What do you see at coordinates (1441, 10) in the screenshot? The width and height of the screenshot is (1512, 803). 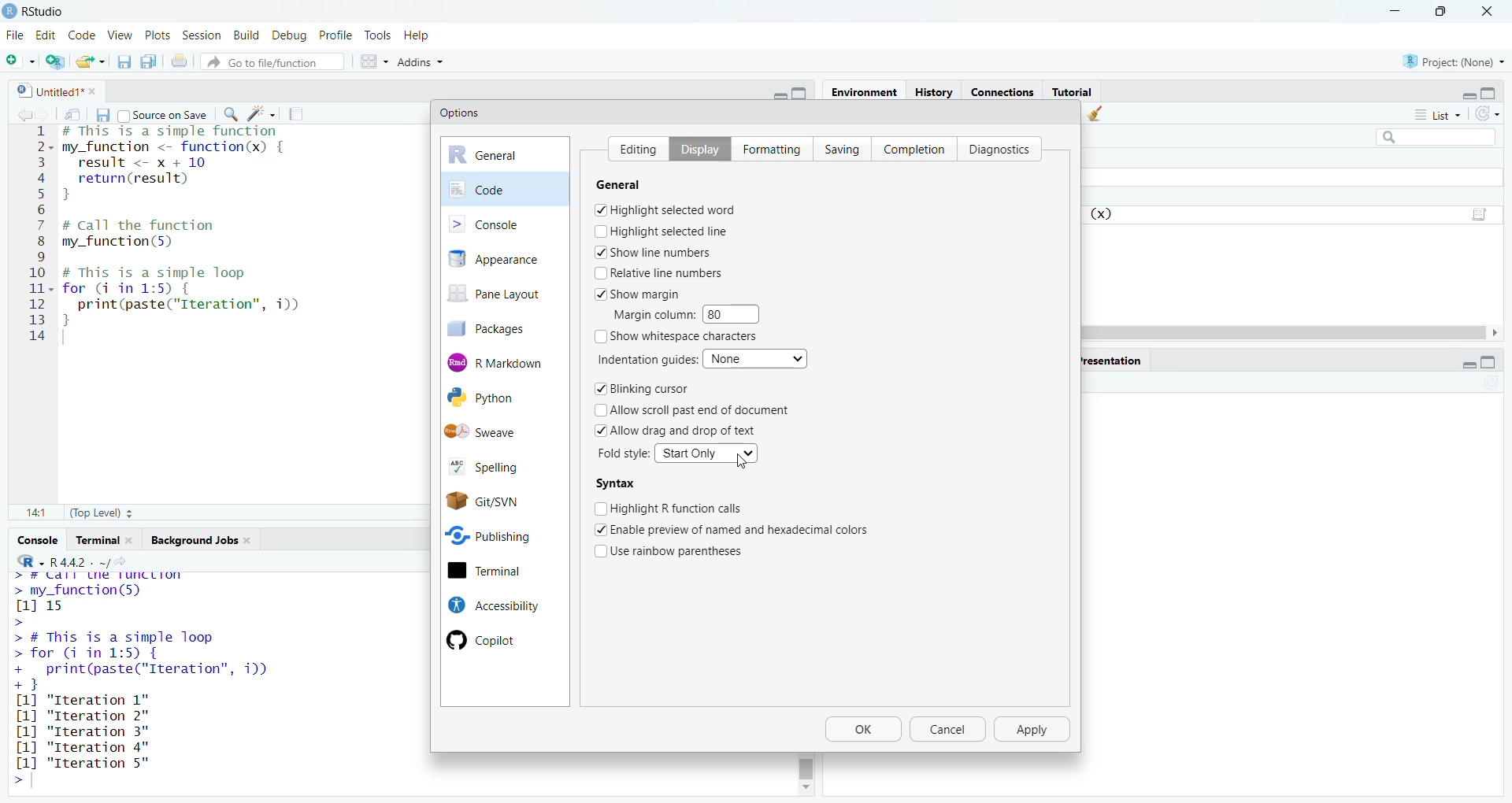 I see `maximize` at bounding box center [1441, 10].